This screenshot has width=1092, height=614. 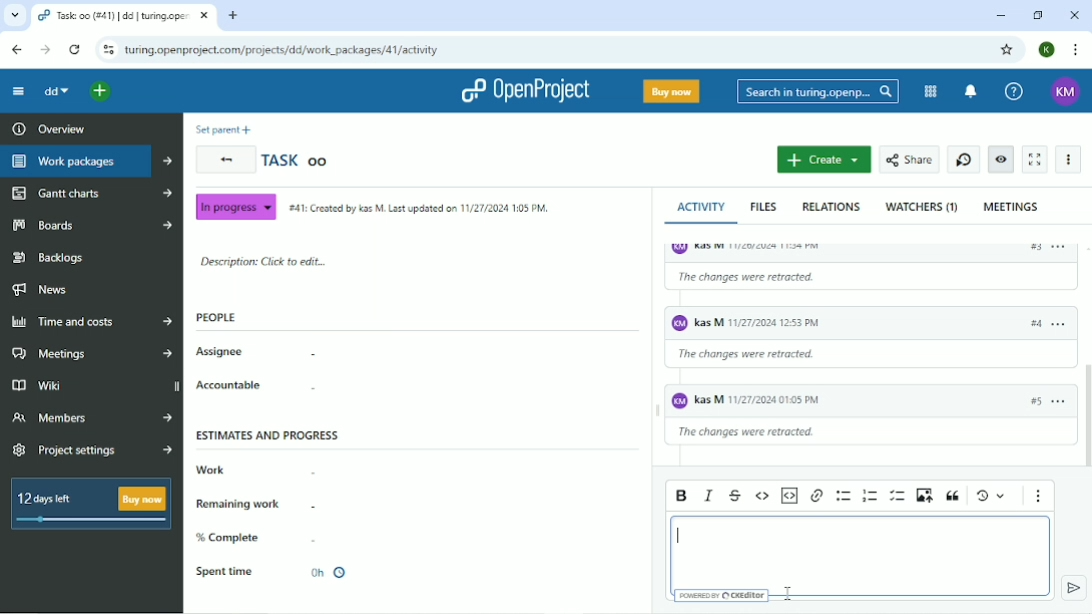 I want to click on Members, so click(x=92, y=416).